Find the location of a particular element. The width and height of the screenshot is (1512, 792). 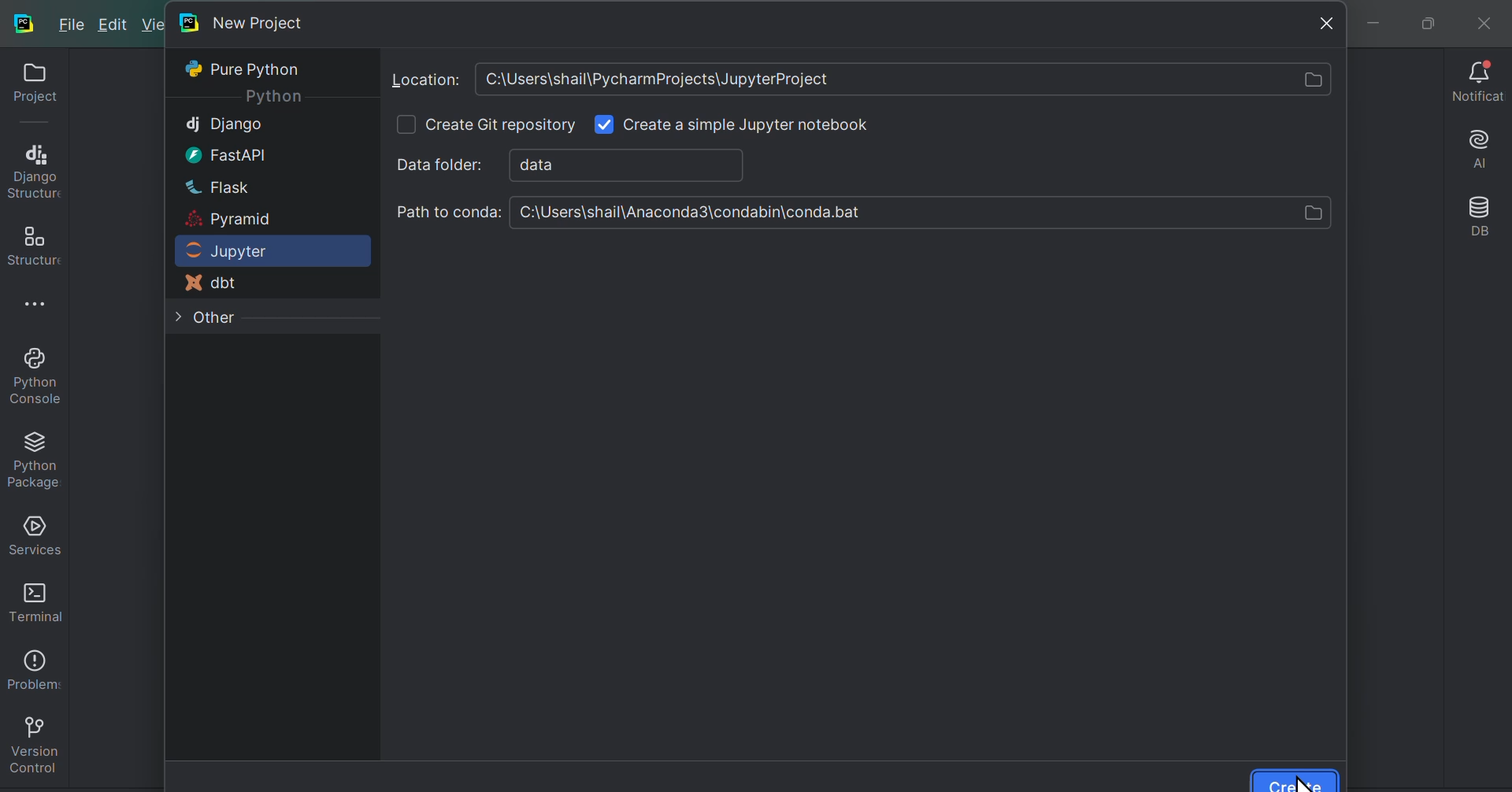

AI assistant is located at coordinates (1476, 147).